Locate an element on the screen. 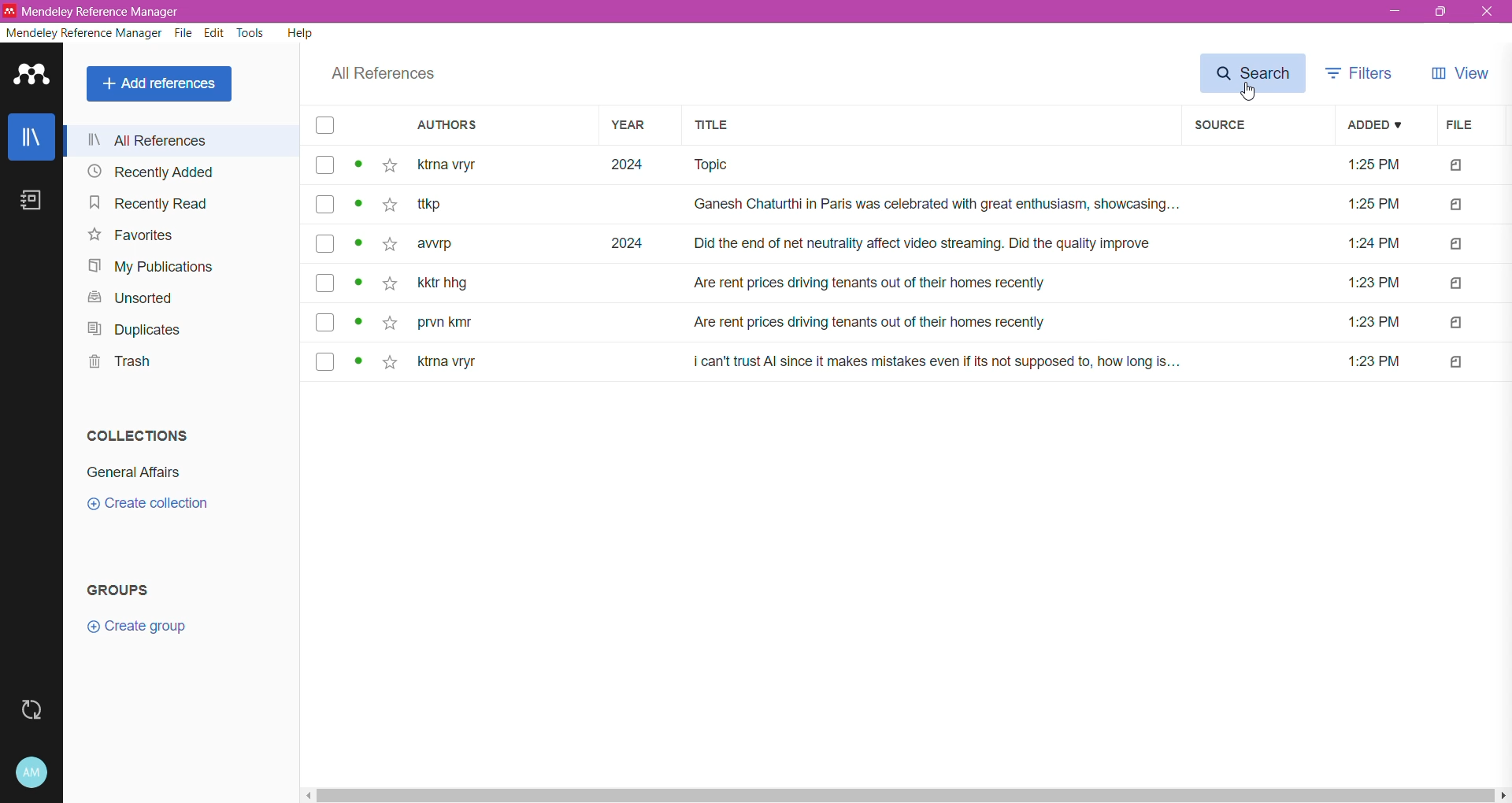 The width and height of the screenshot is (1512, 803). View is located at coordinates (1462, 72).